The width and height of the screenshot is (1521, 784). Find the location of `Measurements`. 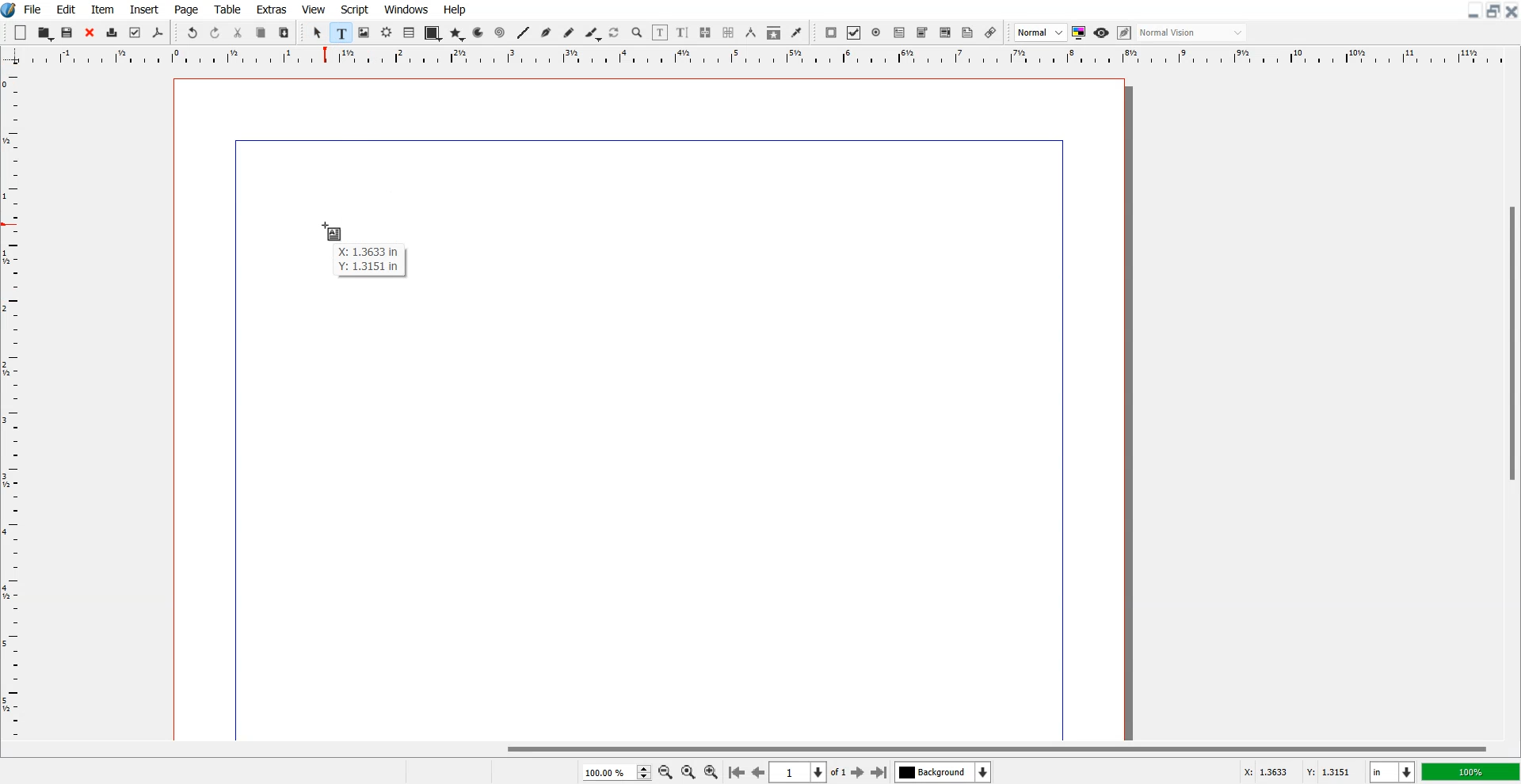

Measurements is located at coordinates (752, 32).